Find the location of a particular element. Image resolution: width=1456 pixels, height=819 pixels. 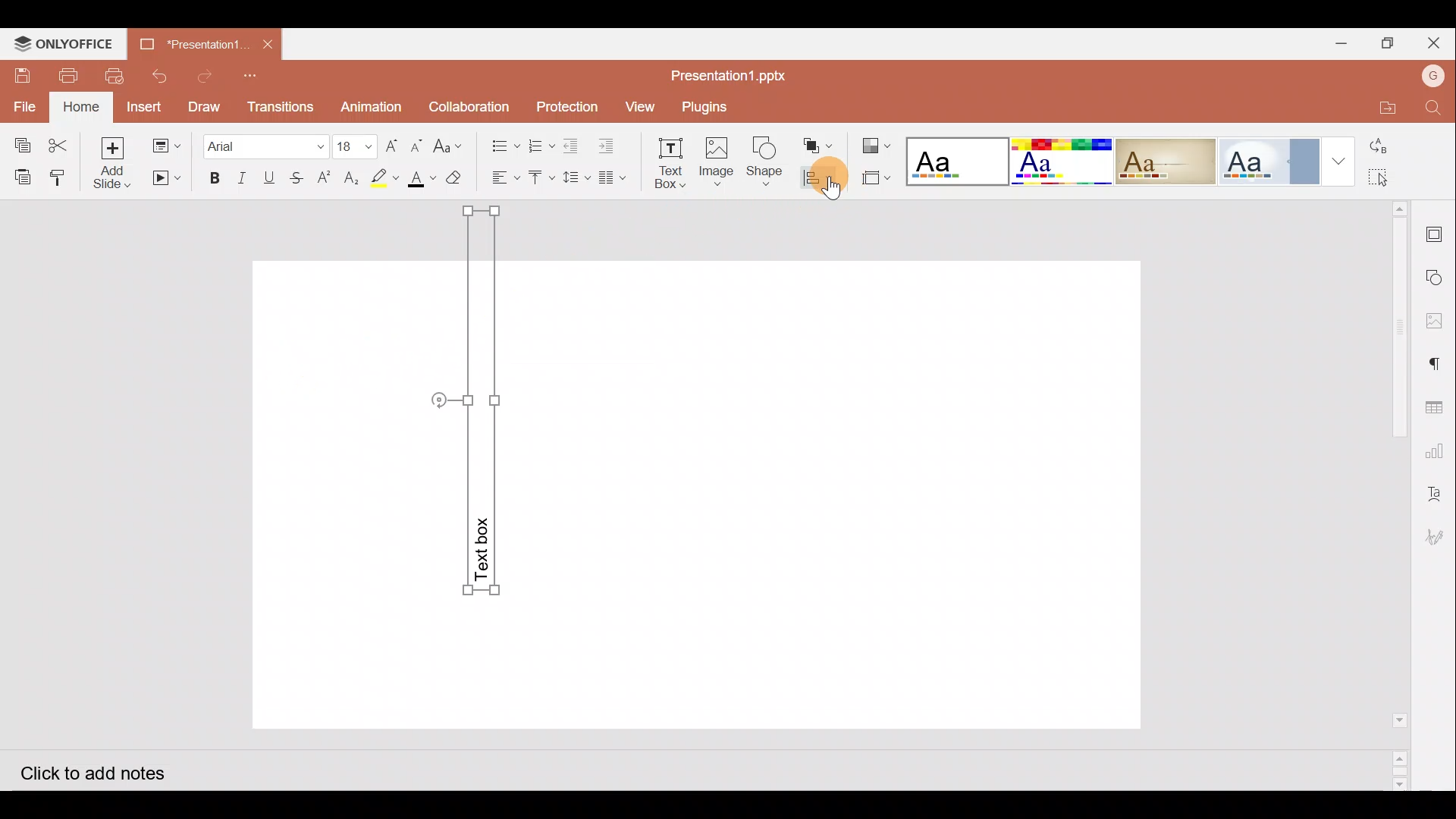

Protection is located at coordinates (566, 108).